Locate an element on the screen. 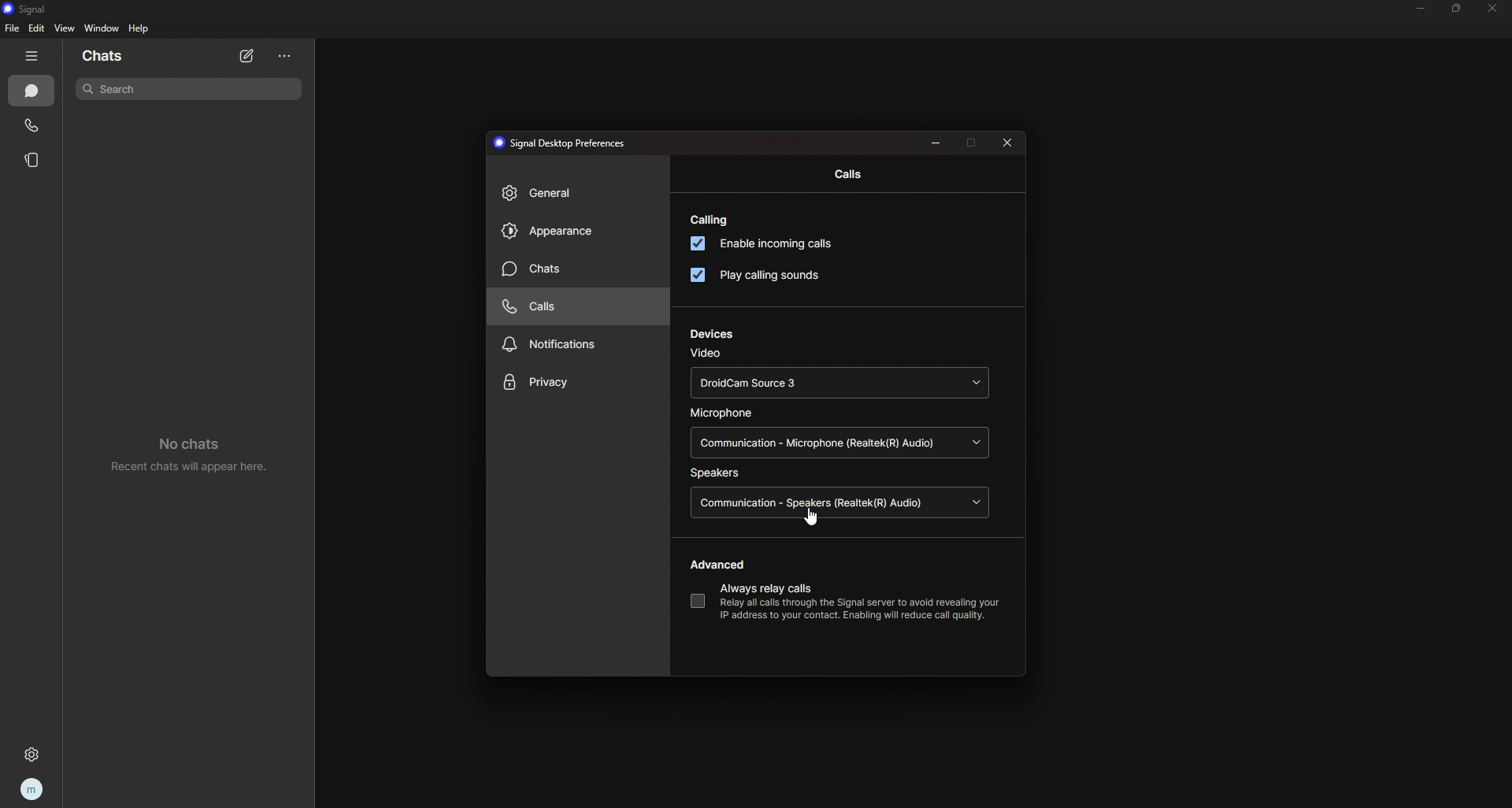 The width and height of the screenshot is (1512, 808). Communication - Speakers (Realtek (R) Audio) is located at coordinates (839, 502).